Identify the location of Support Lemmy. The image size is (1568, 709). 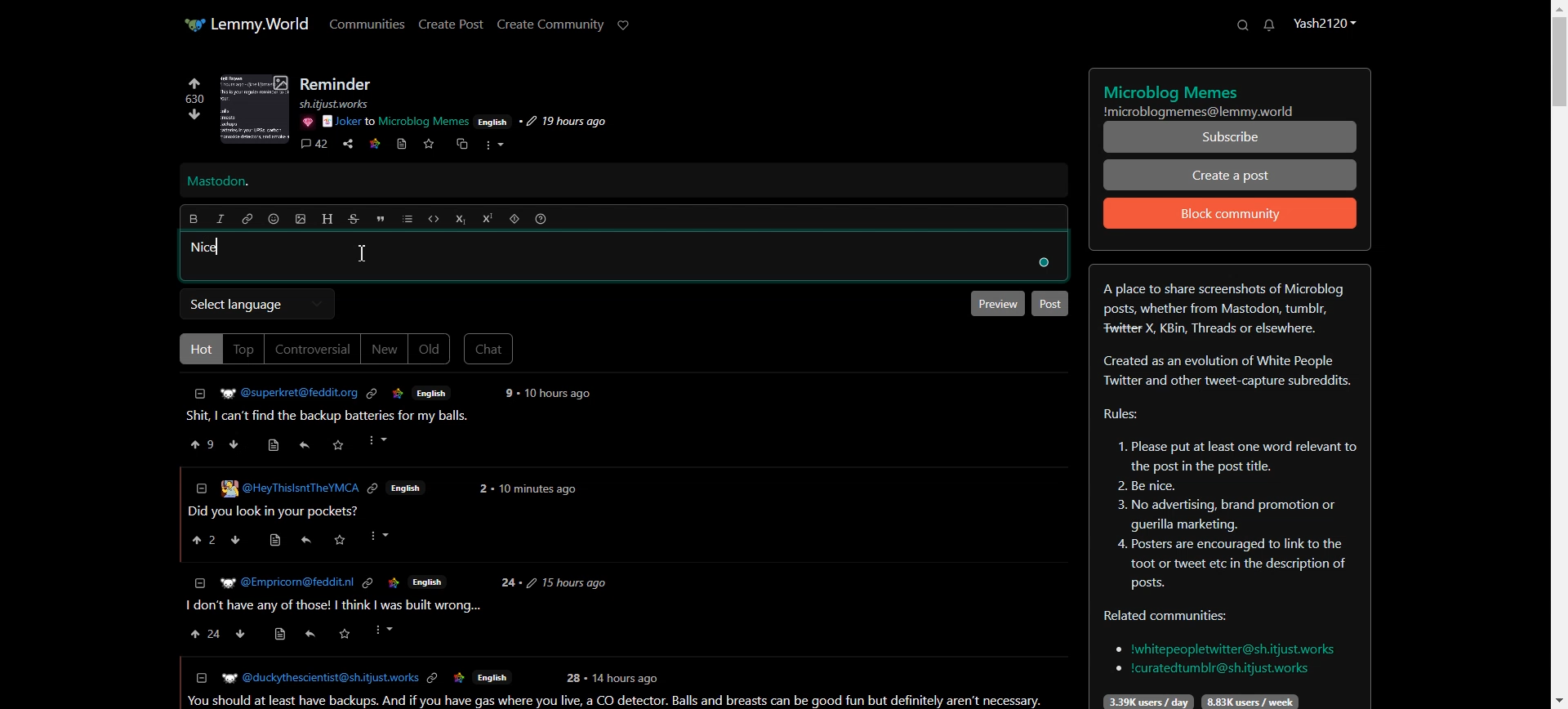
(624, 25).